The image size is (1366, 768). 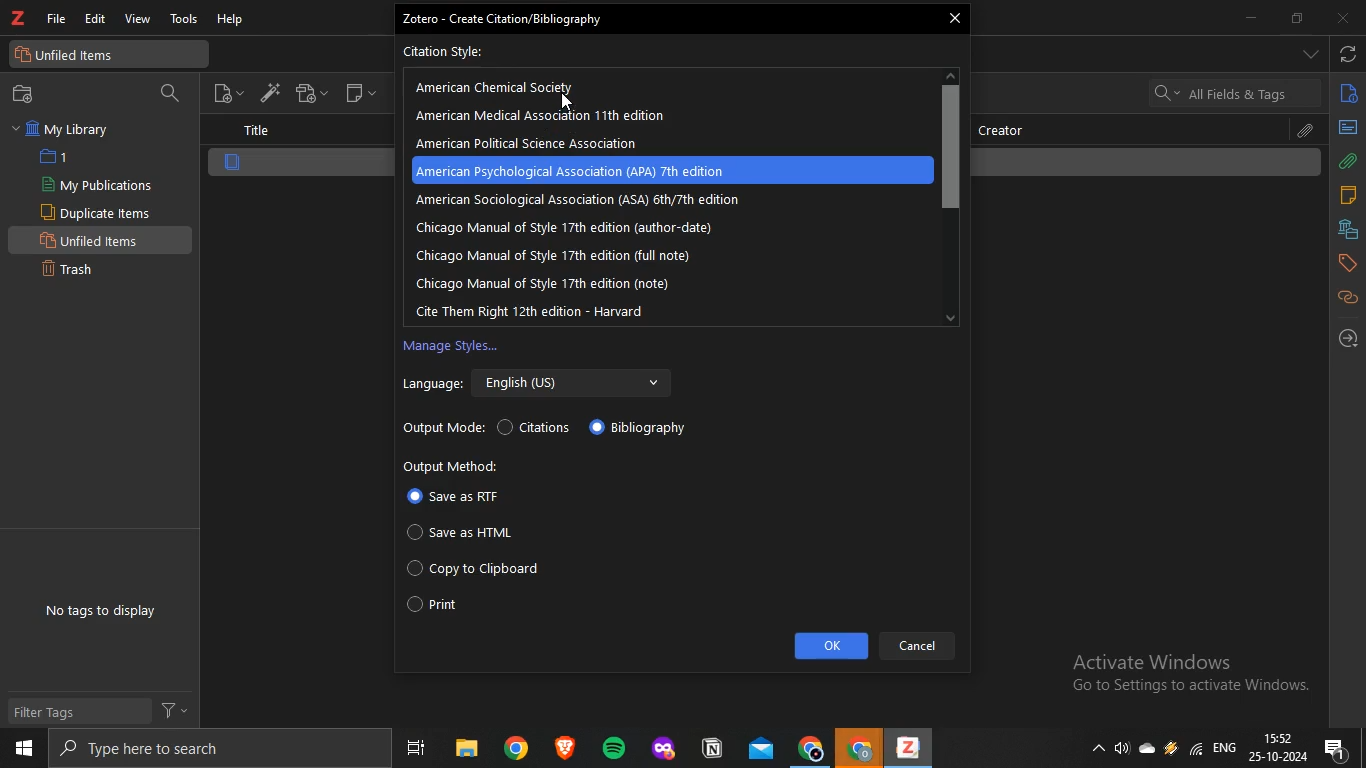 What do you see at coordinates (905, 749) in the screenshot?
I see `zotero` at bounding box center [905, 749].